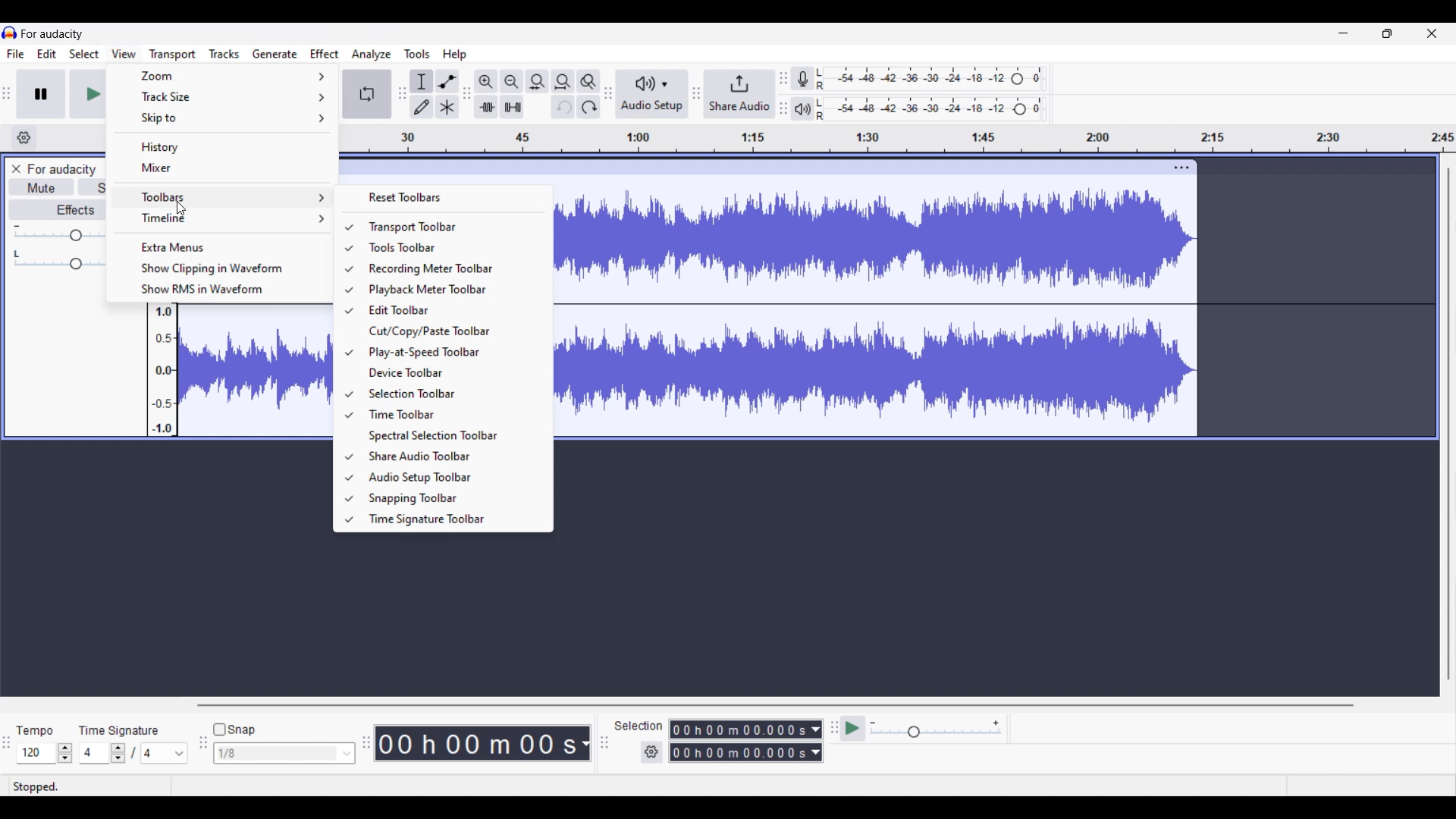 The image size is (1456, 819). I want to click on Time toolbar, so click(451, 414).